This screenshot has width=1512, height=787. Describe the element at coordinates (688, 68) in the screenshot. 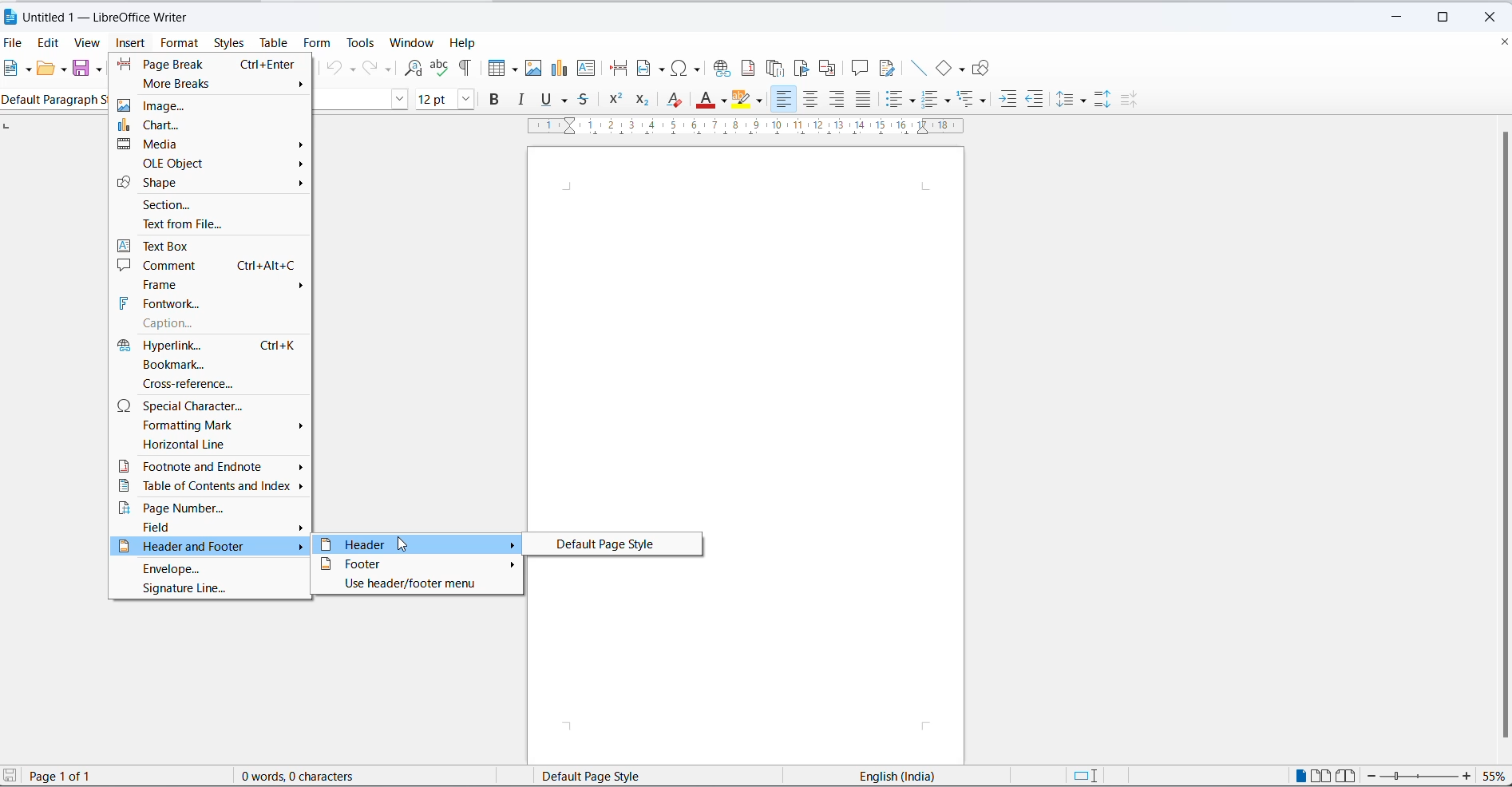

I see `insert special characters` at that location.